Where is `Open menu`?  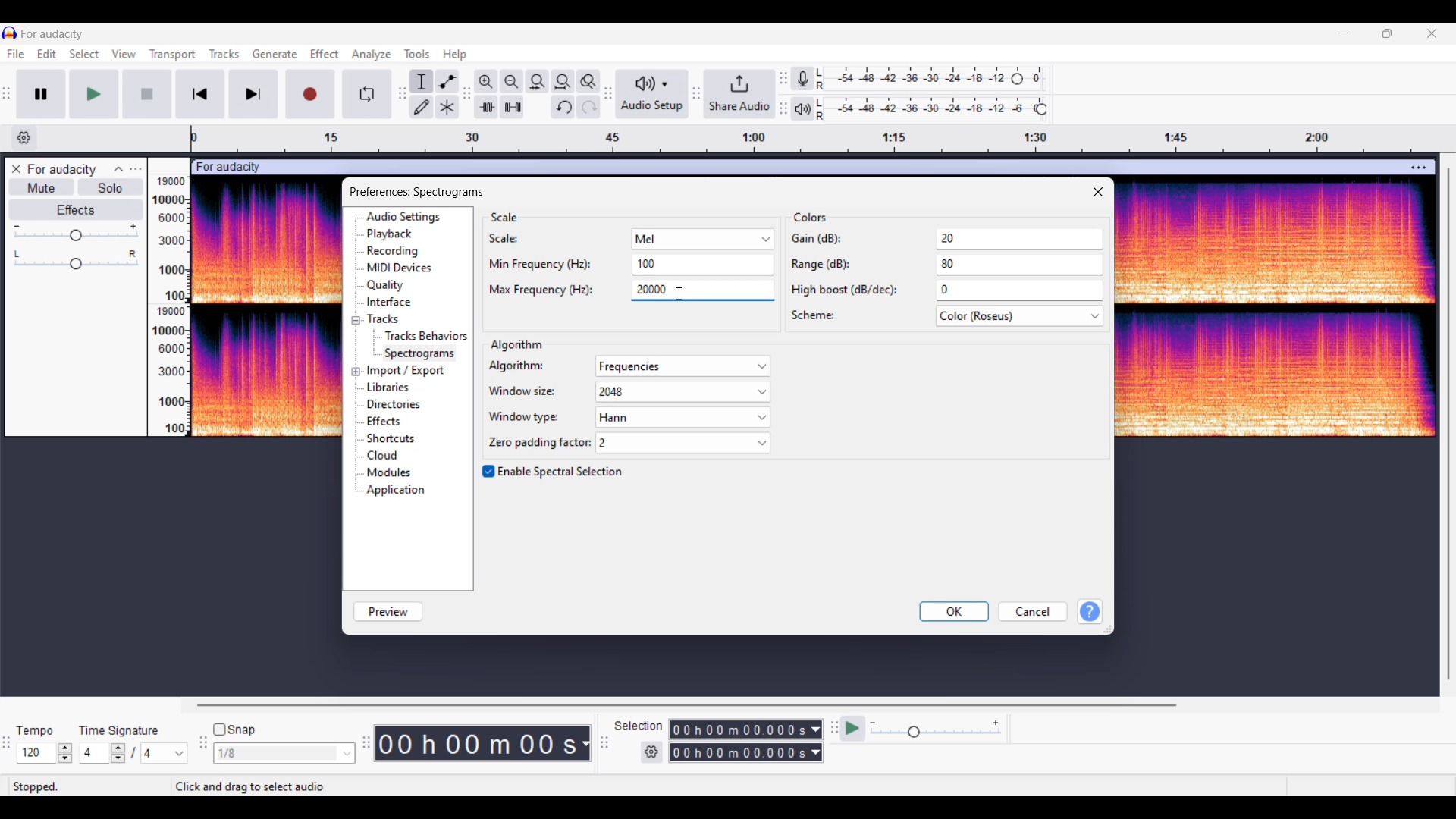 Open menu is located at coordinates (136, 169).